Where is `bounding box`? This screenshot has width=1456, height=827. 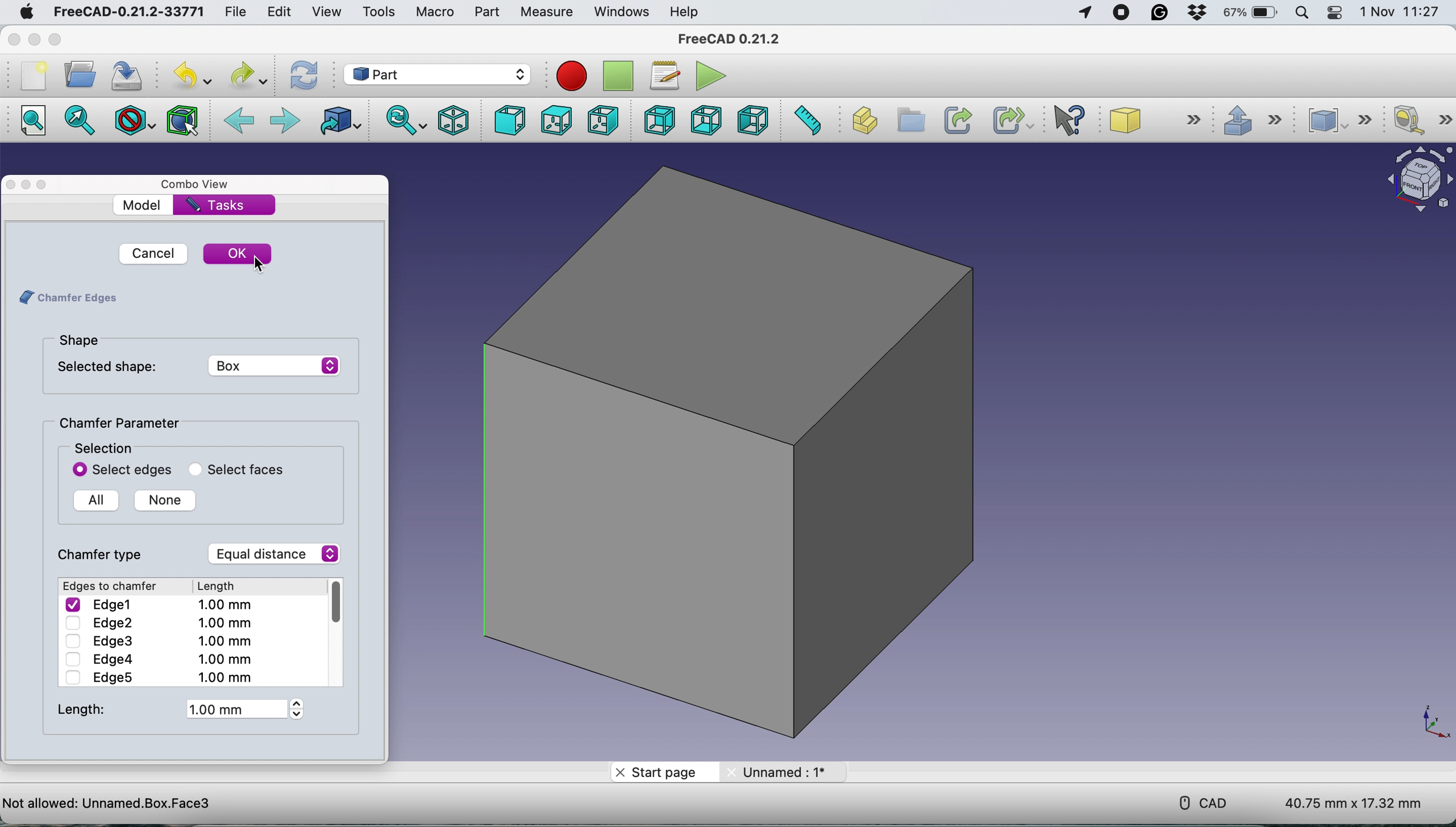 bounding box is located at coordinates (181, 121).